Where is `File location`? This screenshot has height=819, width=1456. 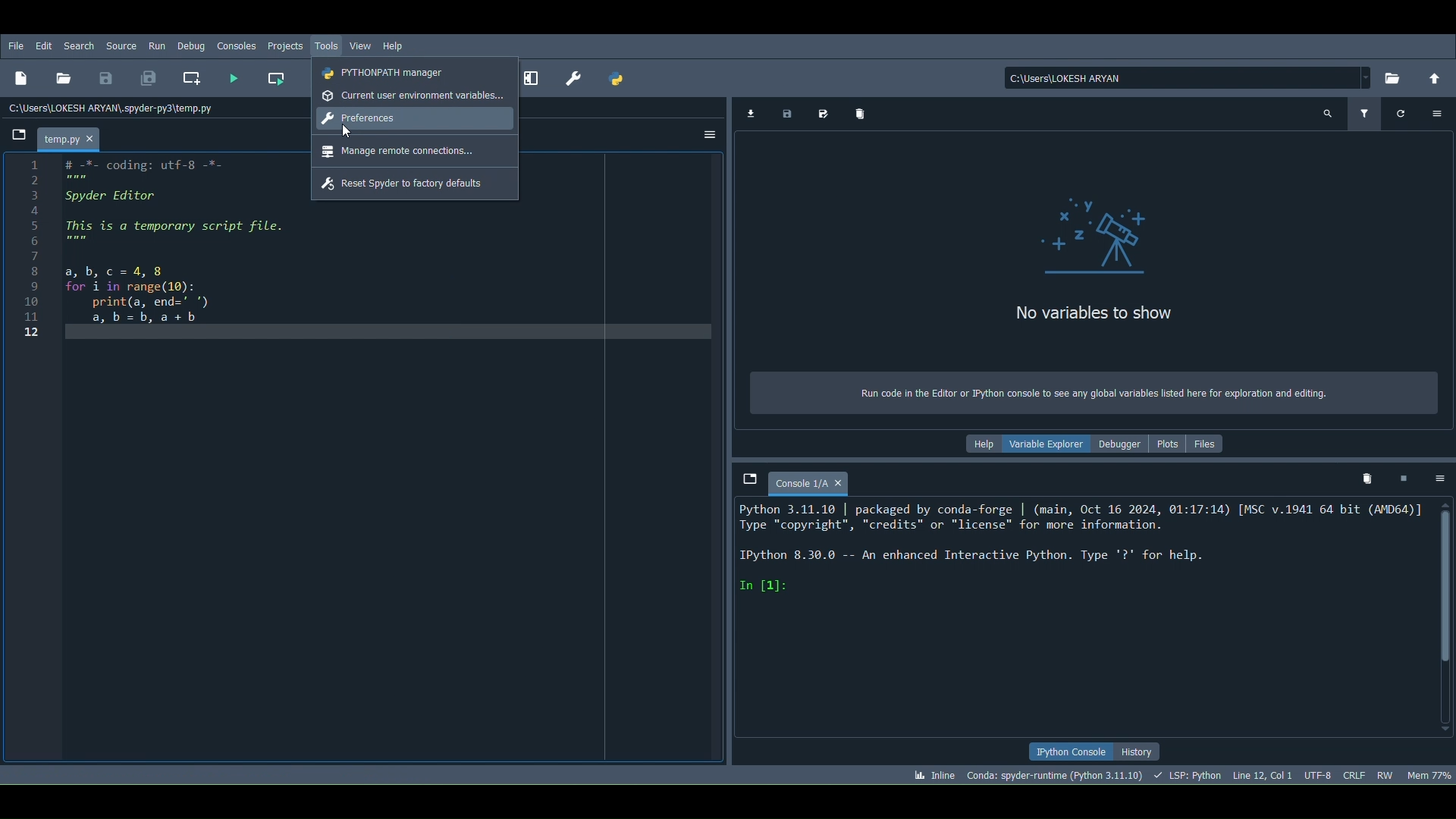 File location is located at coordinates (1189, 77).